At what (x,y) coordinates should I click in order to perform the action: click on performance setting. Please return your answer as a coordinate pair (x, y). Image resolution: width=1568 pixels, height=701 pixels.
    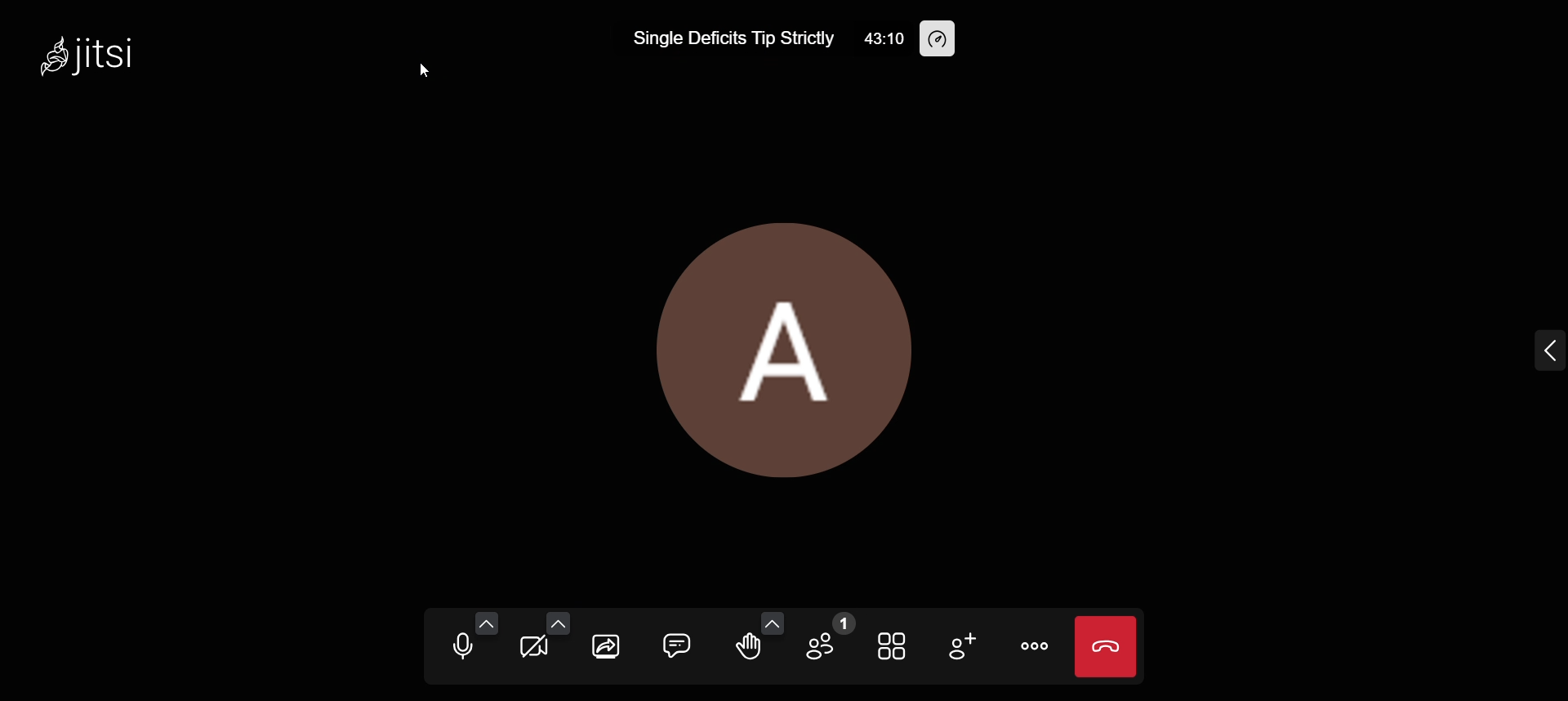
    Looking at the image, I should click on (942, 41).